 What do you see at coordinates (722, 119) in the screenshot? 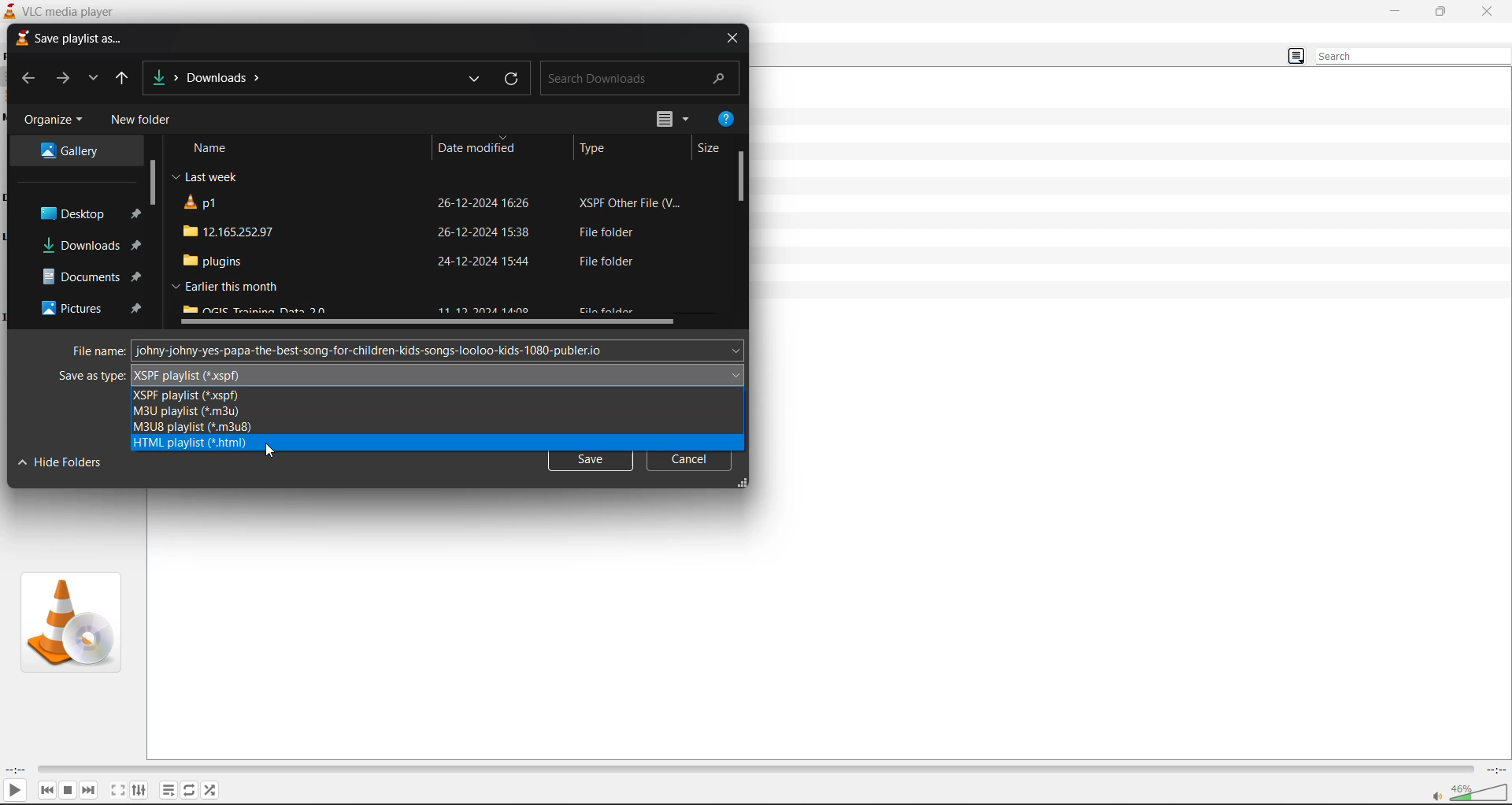
I see `help` at bounding box center [722, 119].